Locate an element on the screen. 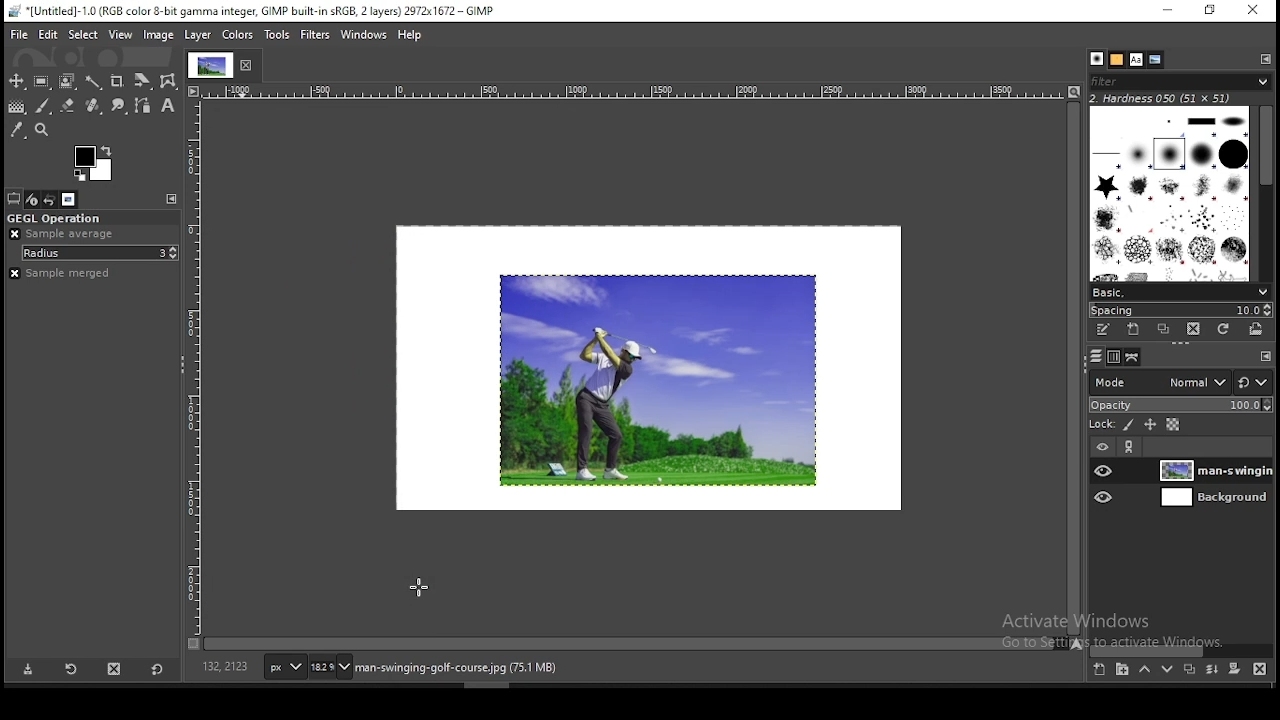  lock is located at coordinates (1103, 425).